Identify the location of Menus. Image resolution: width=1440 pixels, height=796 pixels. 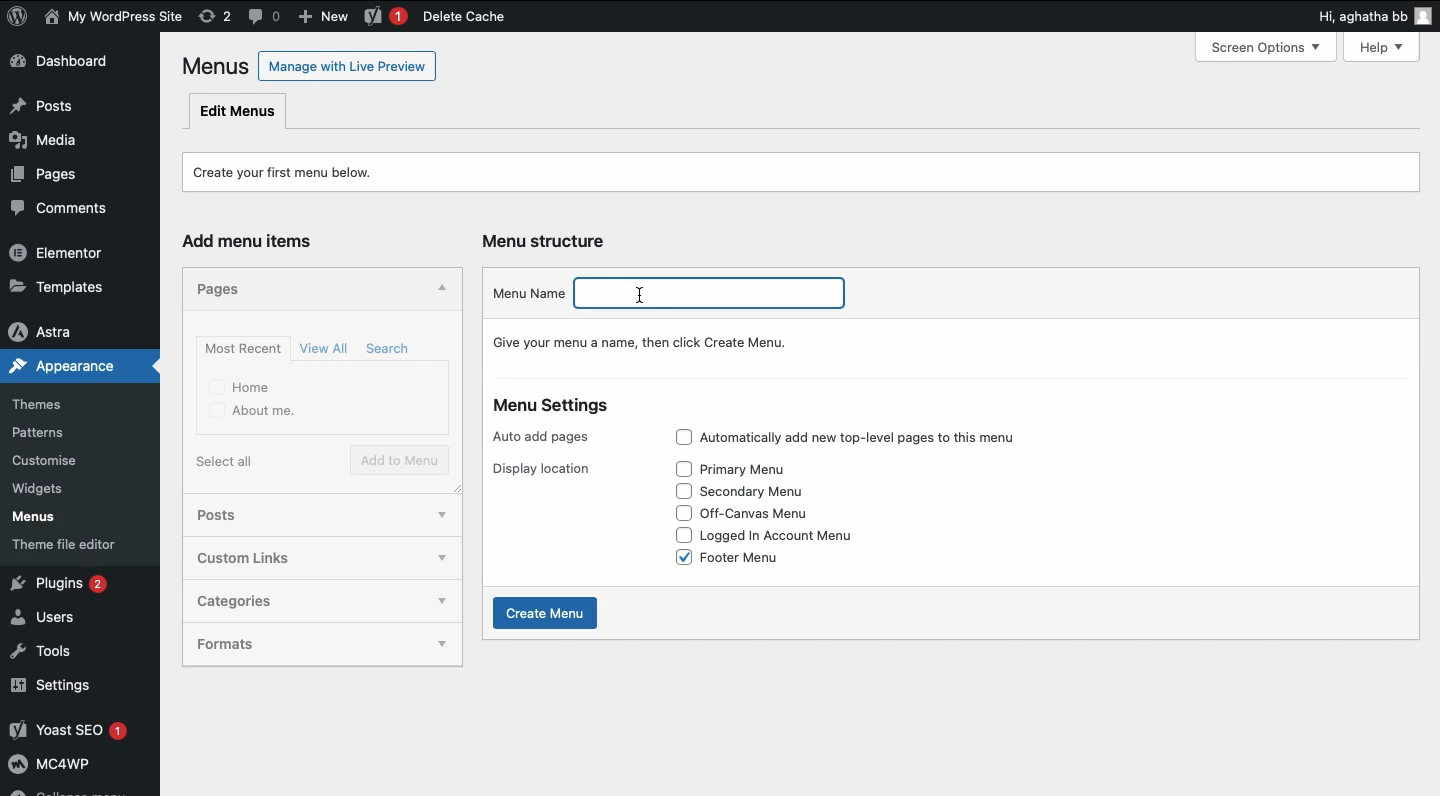
(212, 66).